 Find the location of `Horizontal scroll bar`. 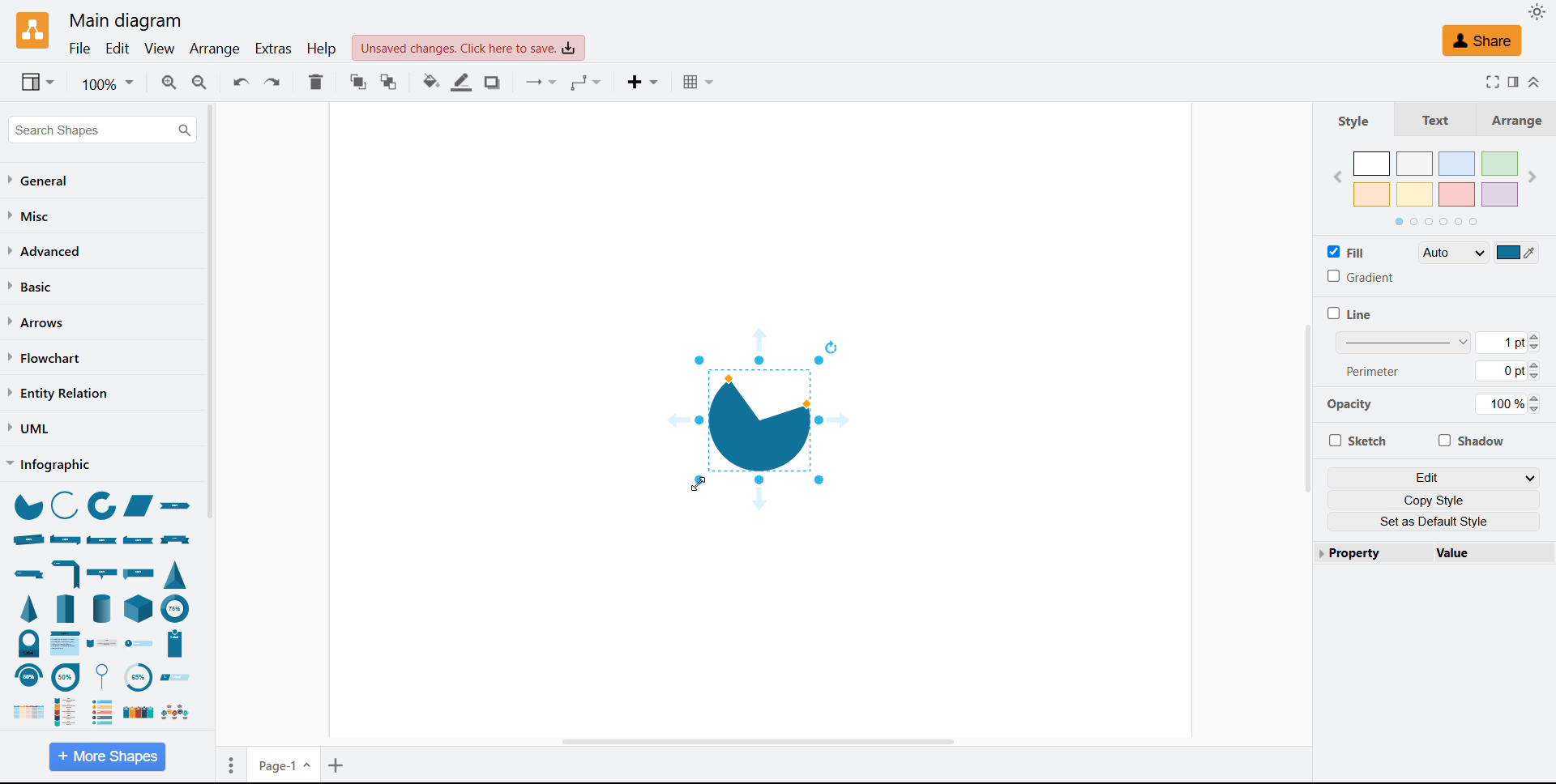

Horizontal scroll bar is located at coordinates (757, 743).